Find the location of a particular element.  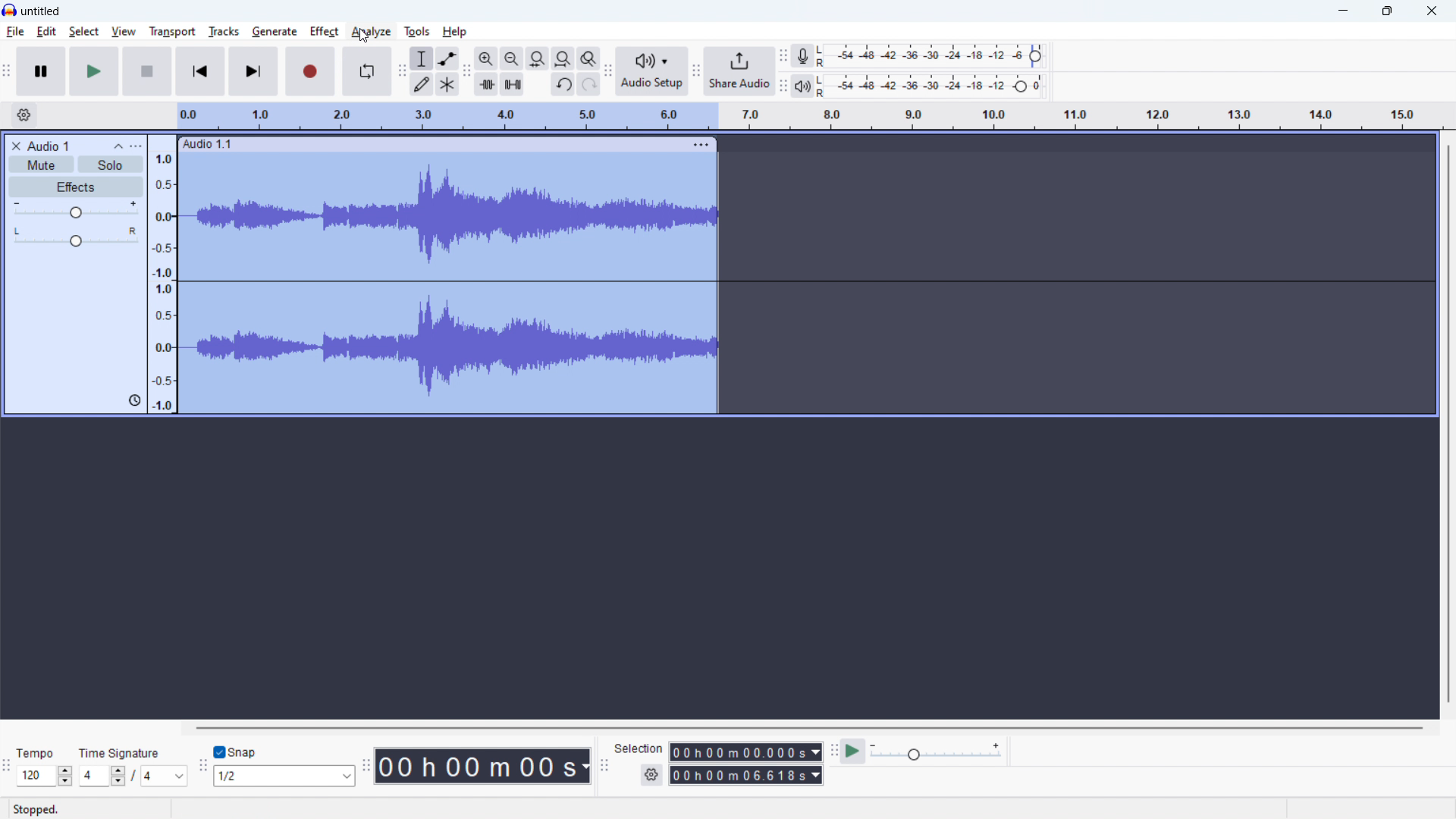

amplitude is located at coordinates (163, 274).